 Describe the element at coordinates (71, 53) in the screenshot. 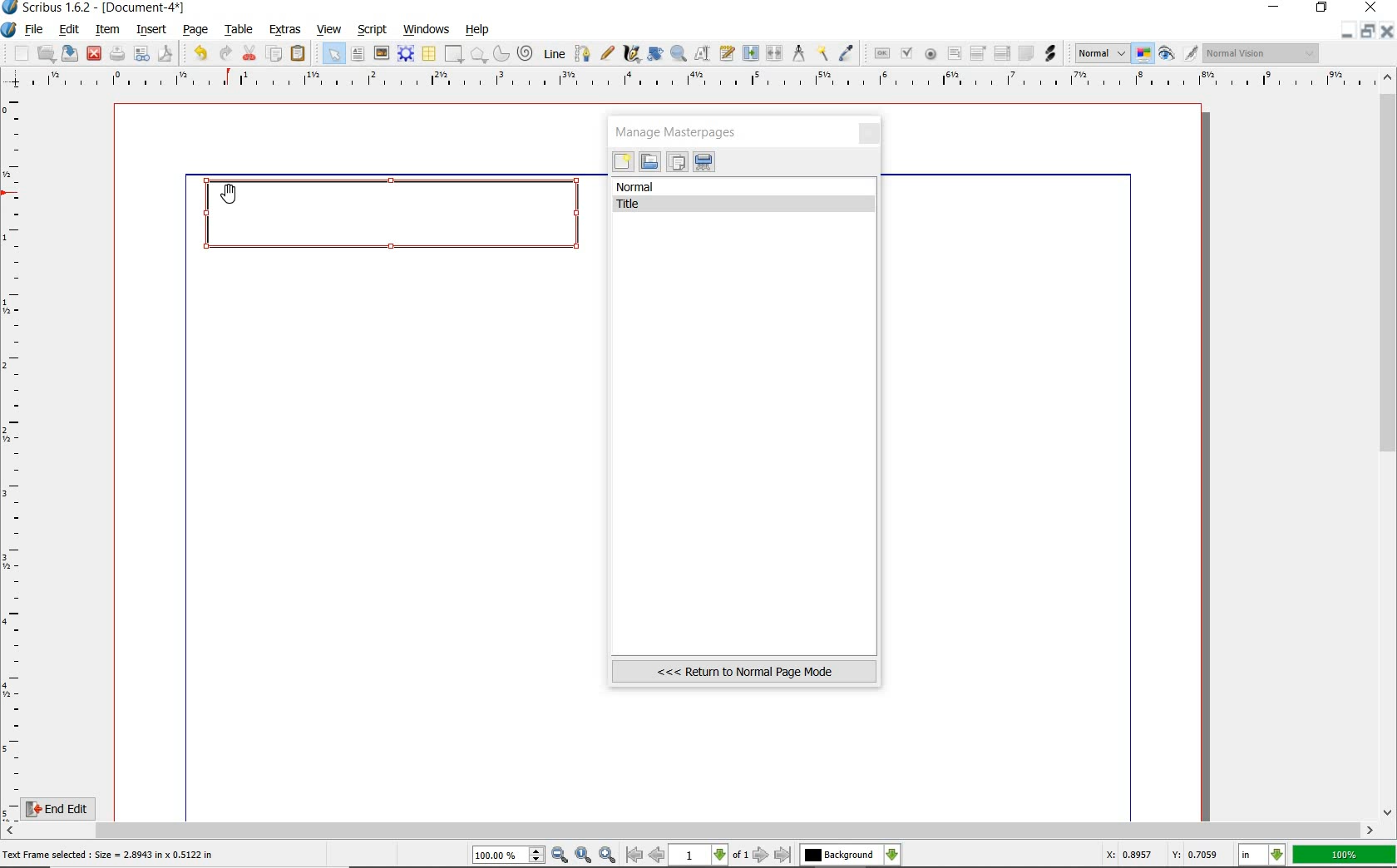

I see `save` at that location.